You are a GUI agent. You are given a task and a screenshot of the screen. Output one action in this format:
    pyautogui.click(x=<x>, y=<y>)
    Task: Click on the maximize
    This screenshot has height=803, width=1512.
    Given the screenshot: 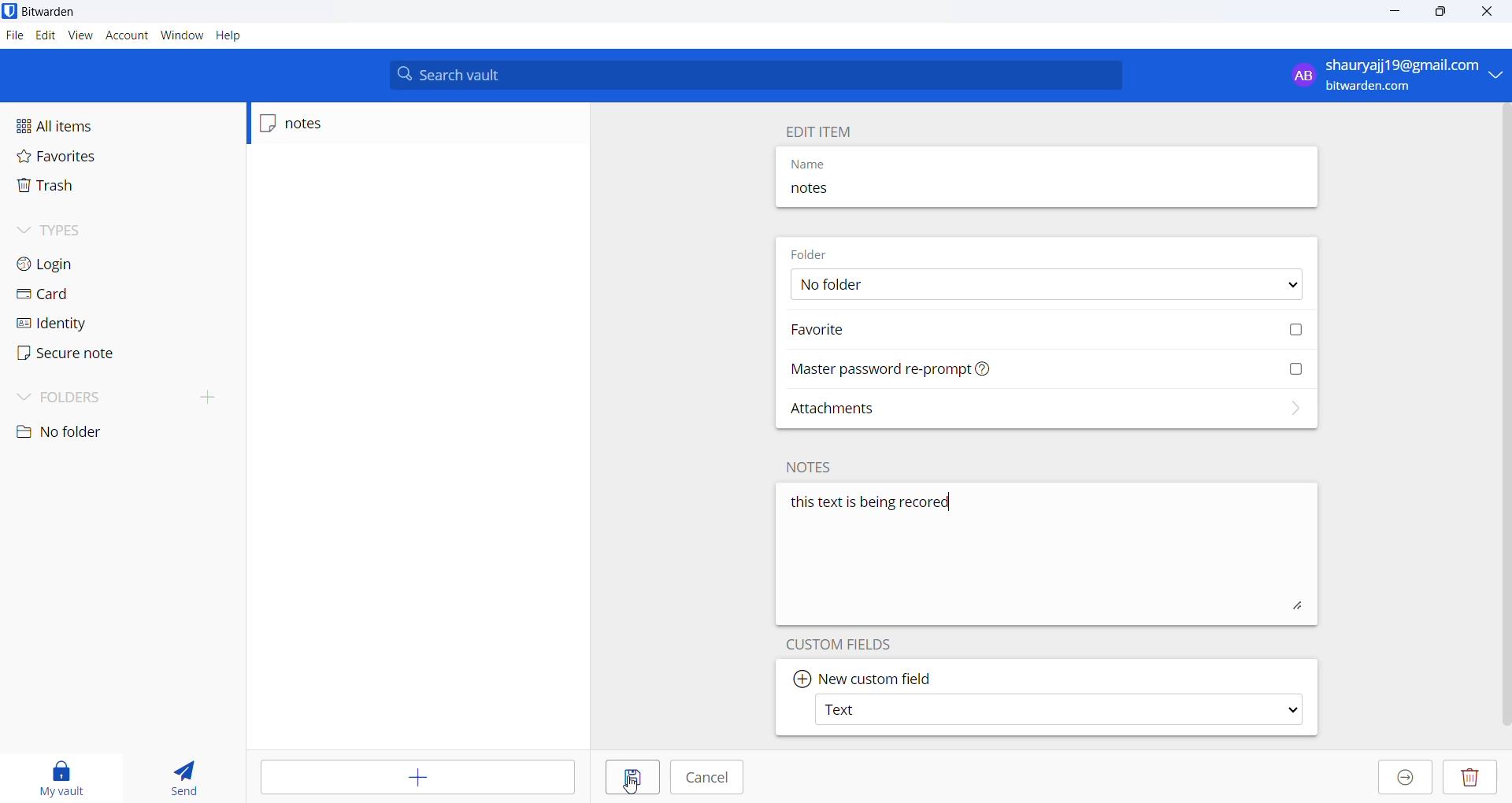 What is the action you would take?
    pyautogui.click(x=1434, y=12)
    